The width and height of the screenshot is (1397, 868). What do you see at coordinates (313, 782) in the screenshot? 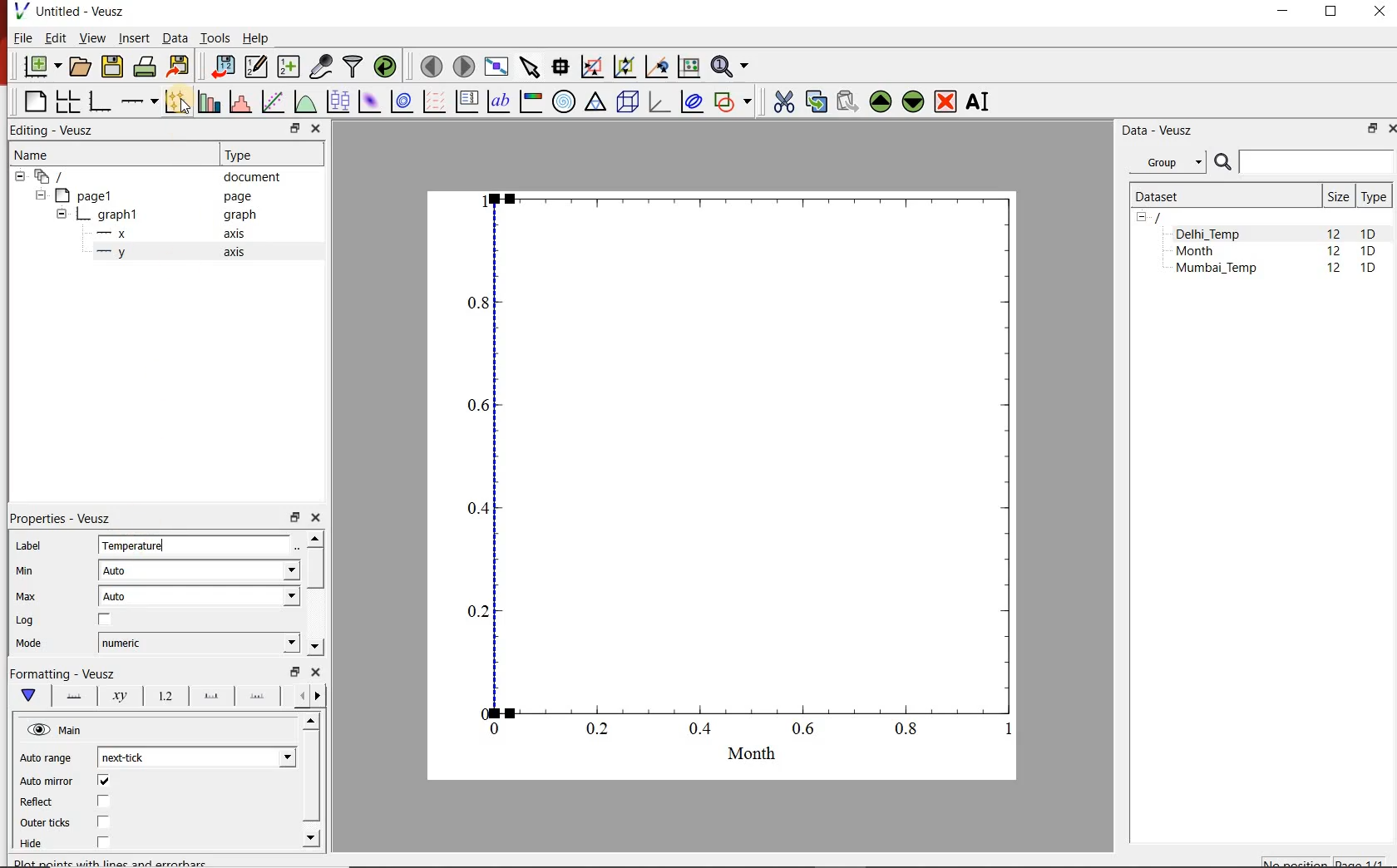
I see `scrollbar` at bounding box center [313, 782].